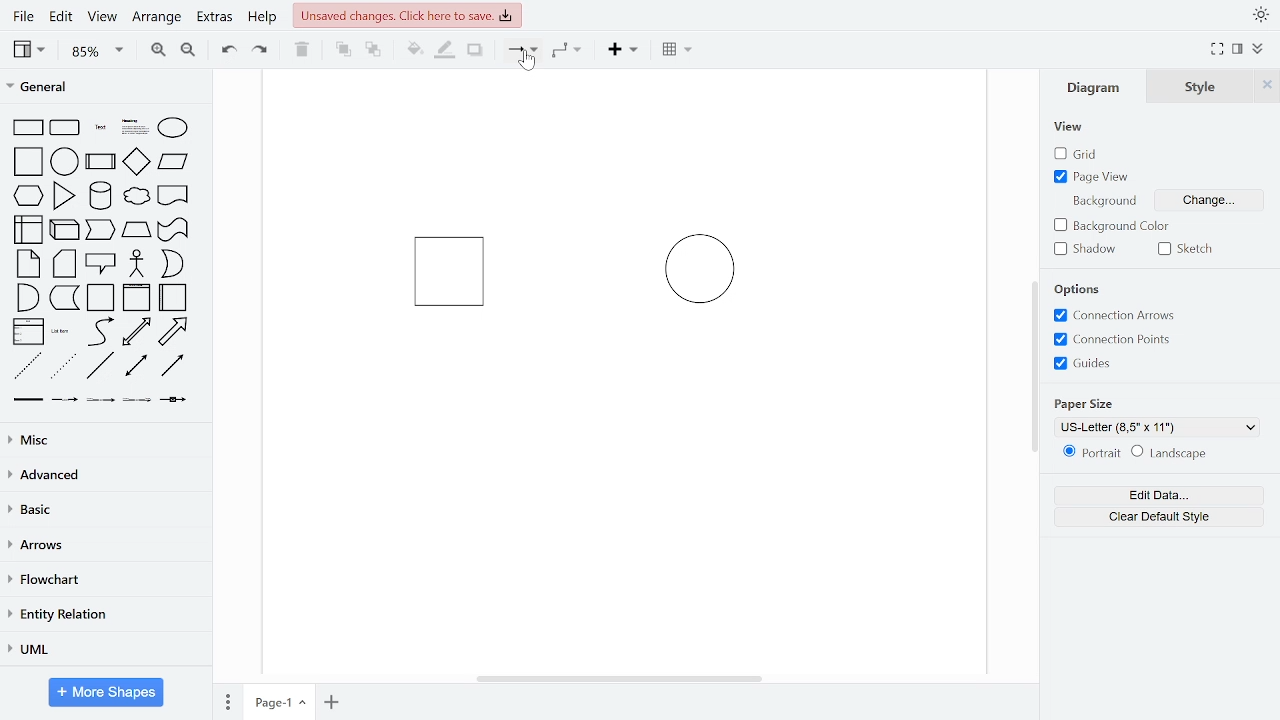 This screenshot has height=720, width=1280. Describe the element at coordinates (1201, 86) in the screenshot. I see `style` at that location.